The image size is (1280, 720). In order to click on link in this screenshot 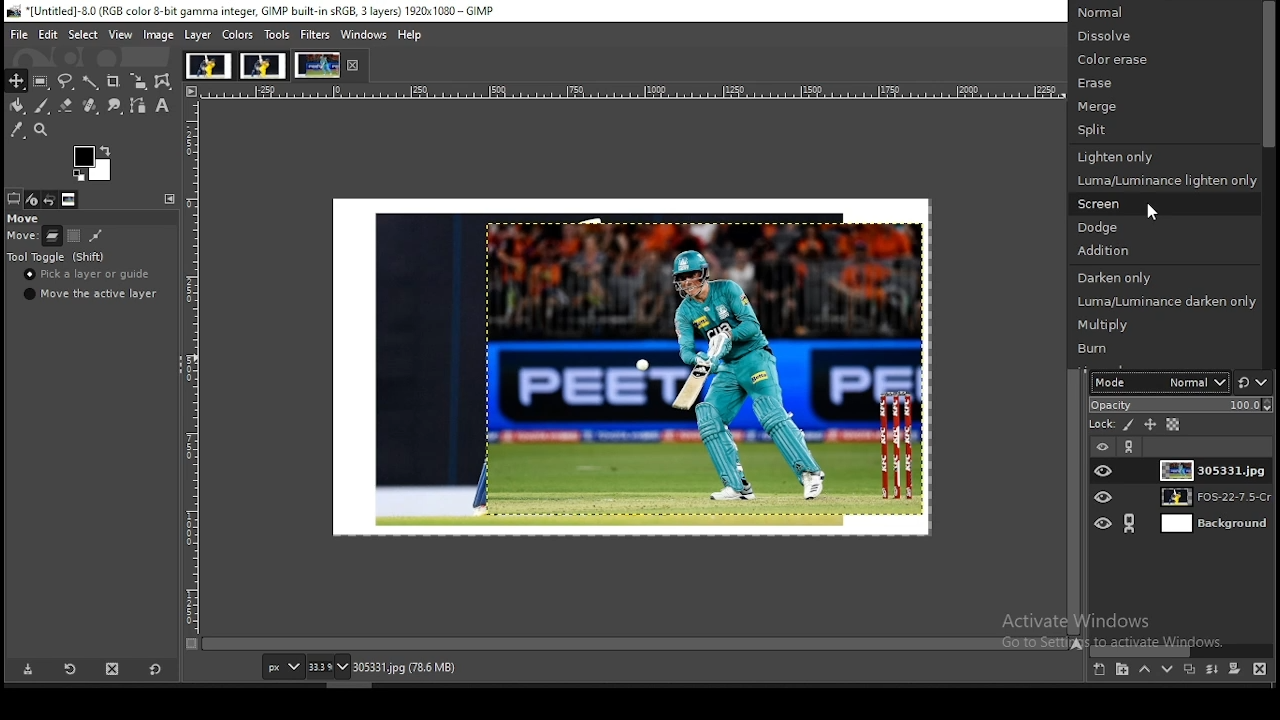, I will do `click(1128, 523)`.